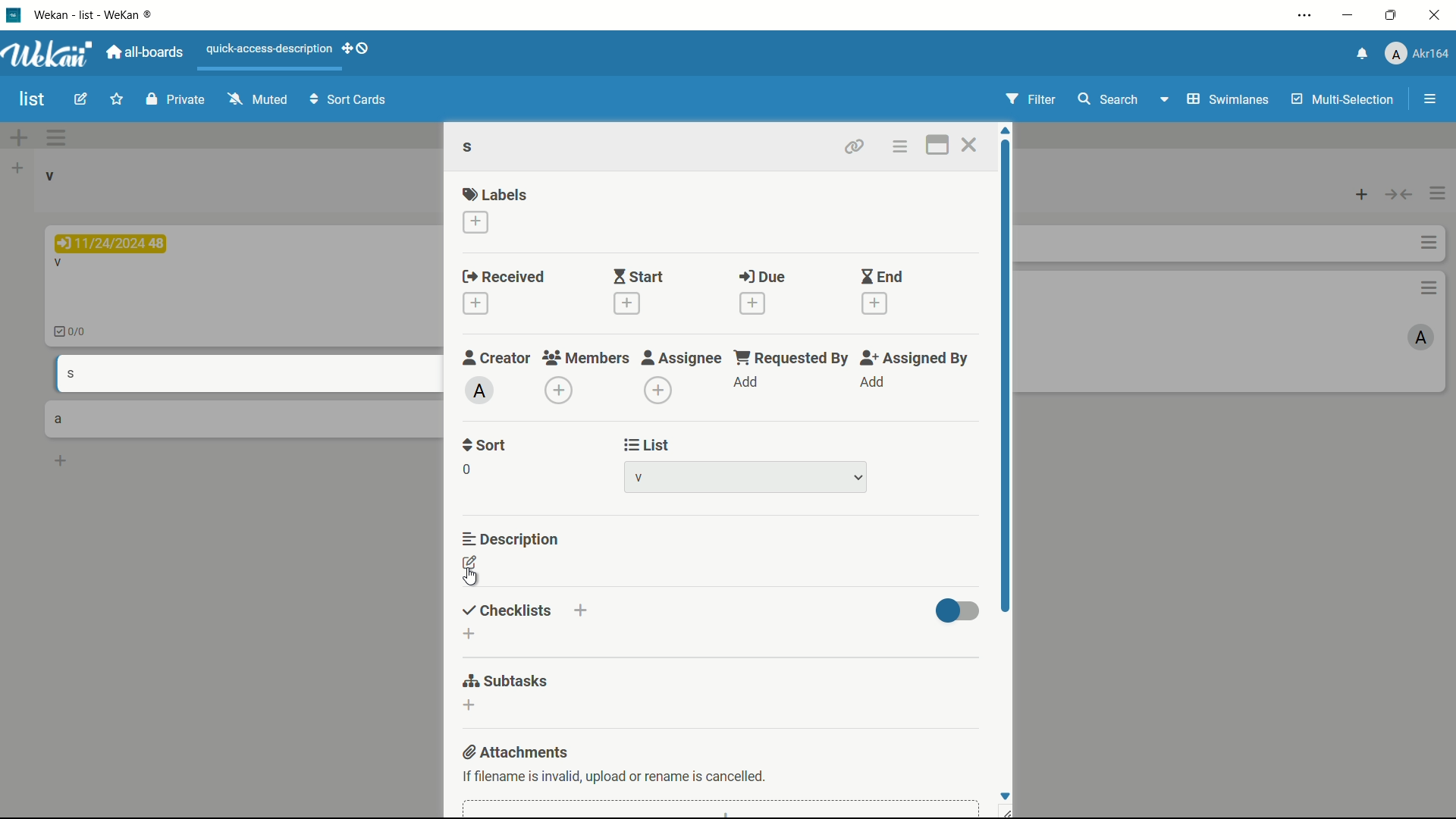 The image size is (1456, 819). I want to click on add checklist, so click(581, 610).